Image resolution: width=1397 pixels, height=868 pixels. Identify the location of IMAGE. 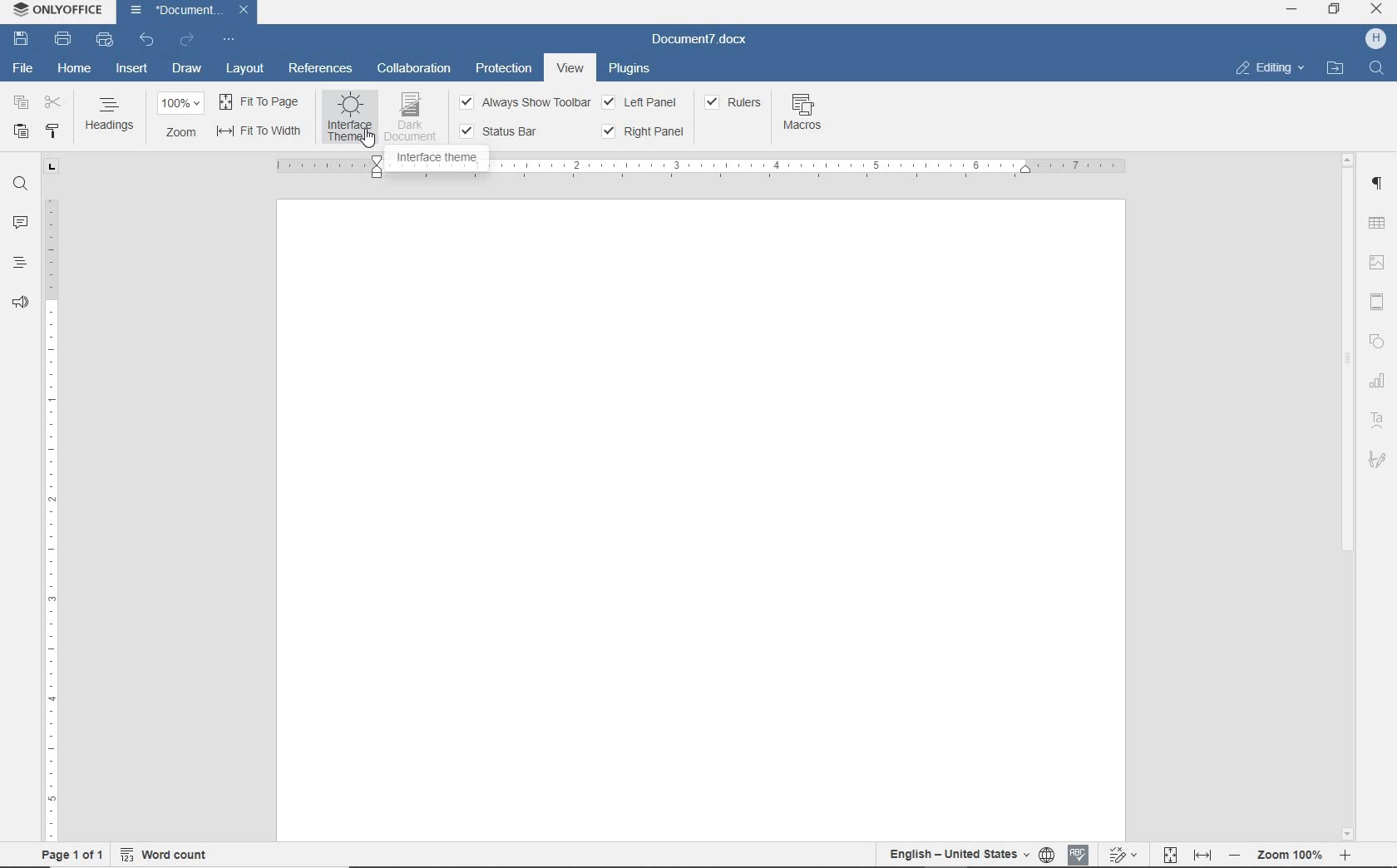
(1377, 262).